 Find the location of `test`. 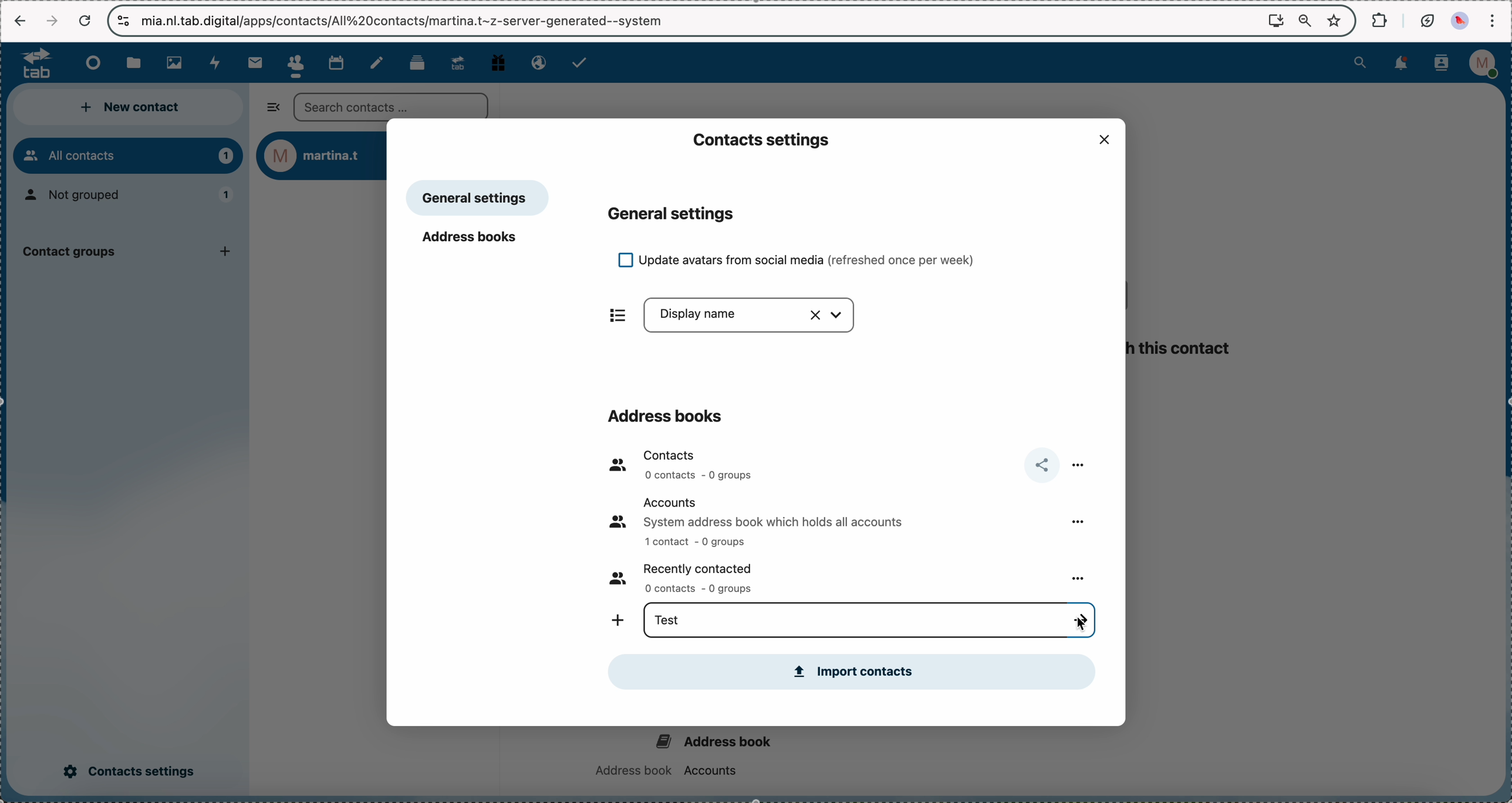

test is located at coordinates (666, 618).